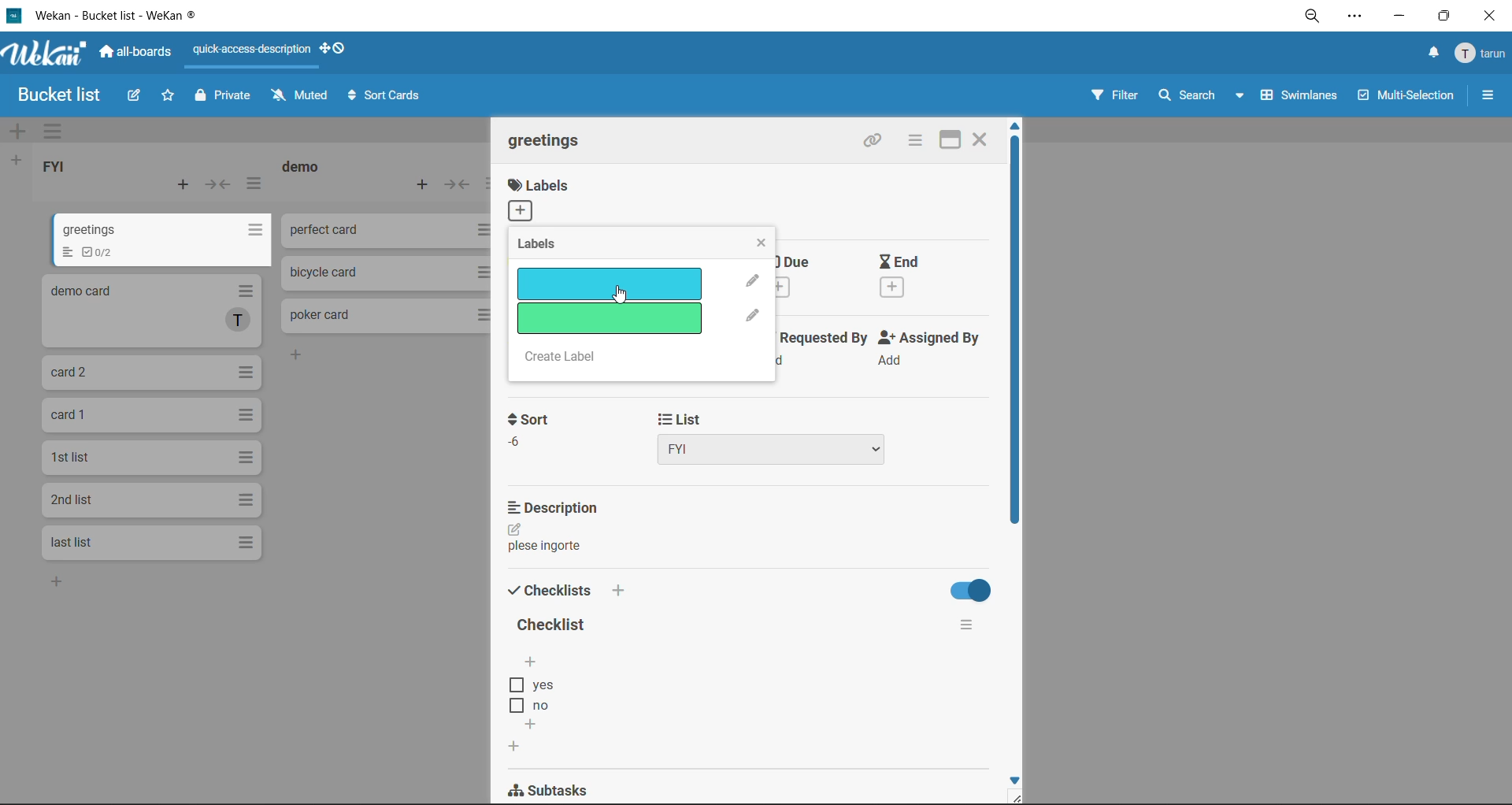 Image resolution: width=1512 pixels, height=805 pixels. Describe the element at coordinates (513, 747) in the screenshot. I see `add new checklist` at that location.